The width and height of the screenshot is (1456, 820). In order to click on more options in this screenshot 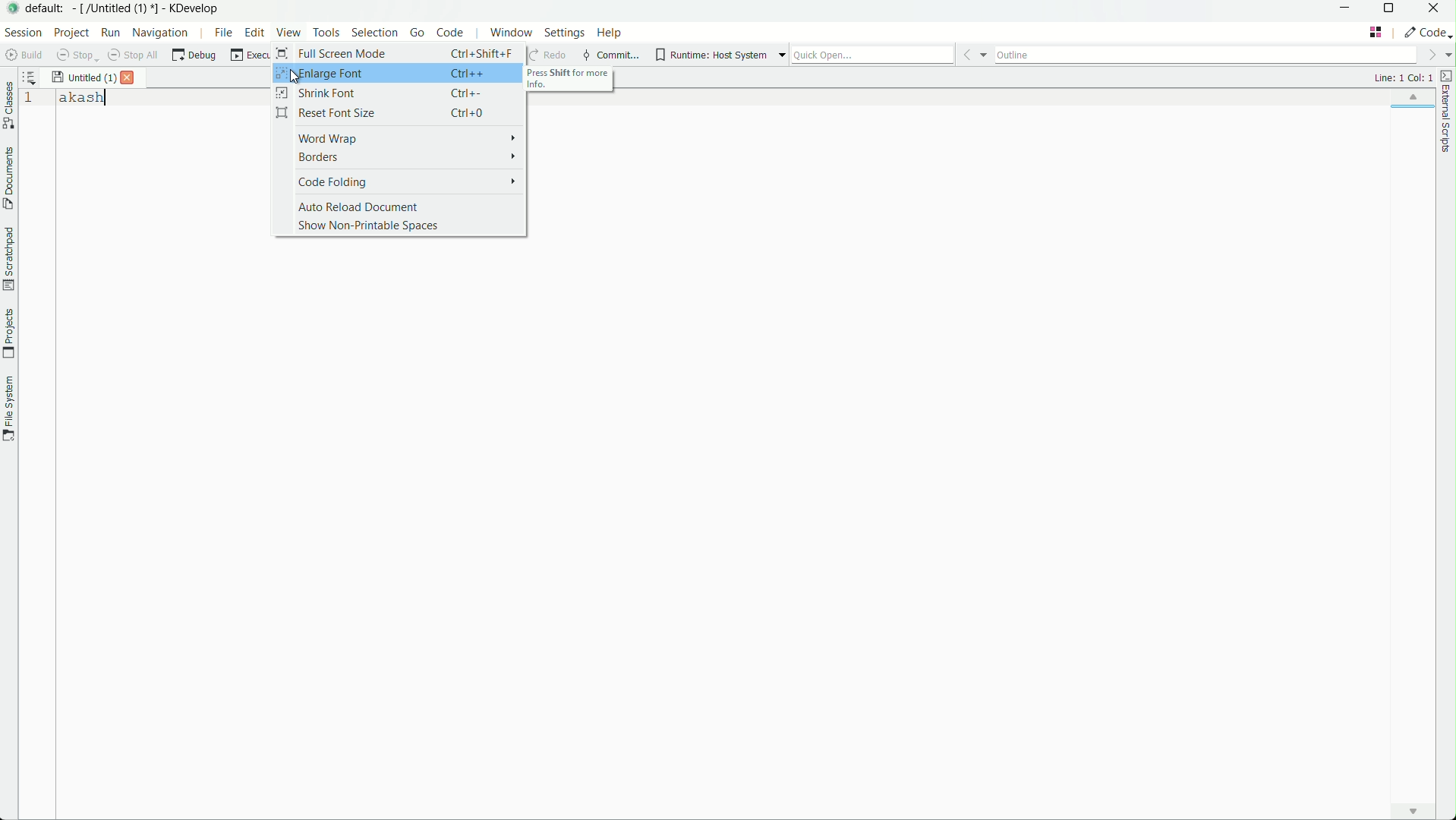, I will do `click(780, 55)`.